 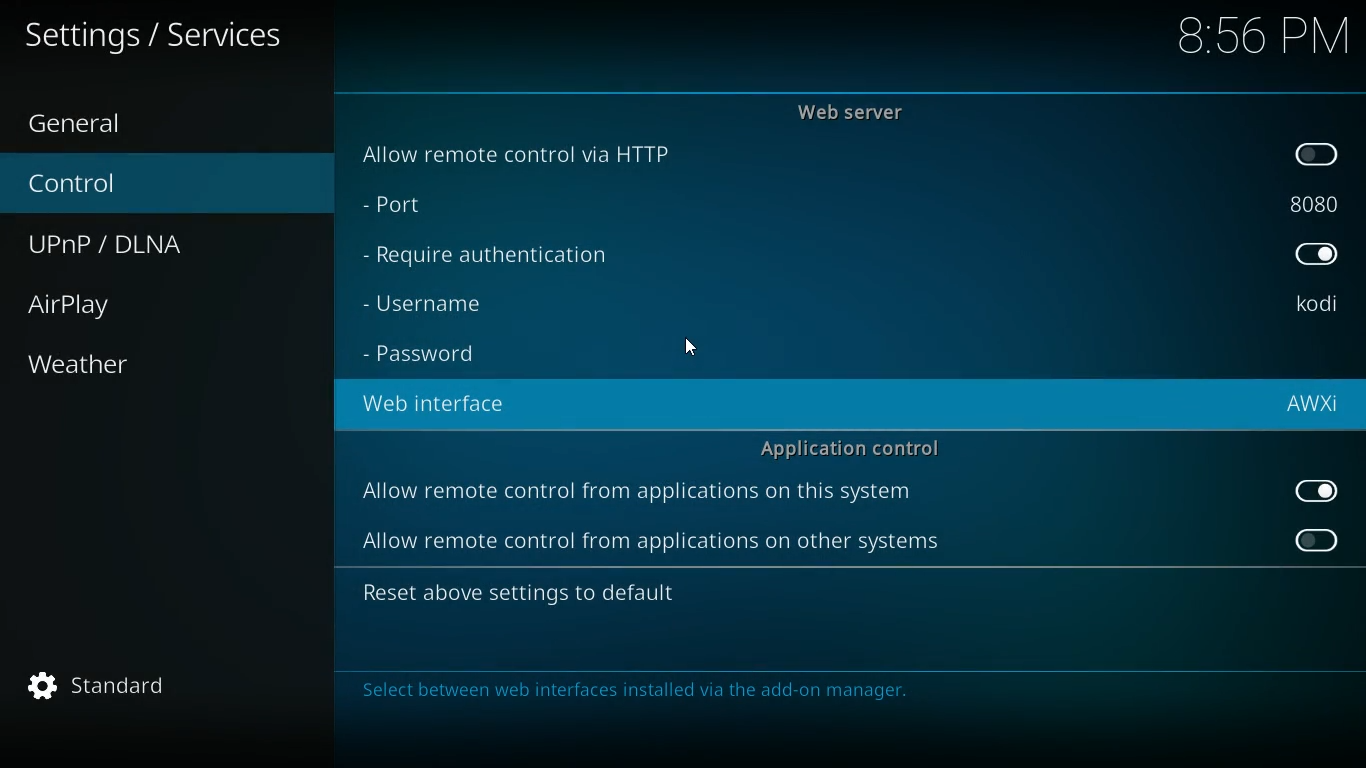 What do you see at coordinates (502, 256) in the screenshot?
I see `require authentication` at bounding box center [502, 256].